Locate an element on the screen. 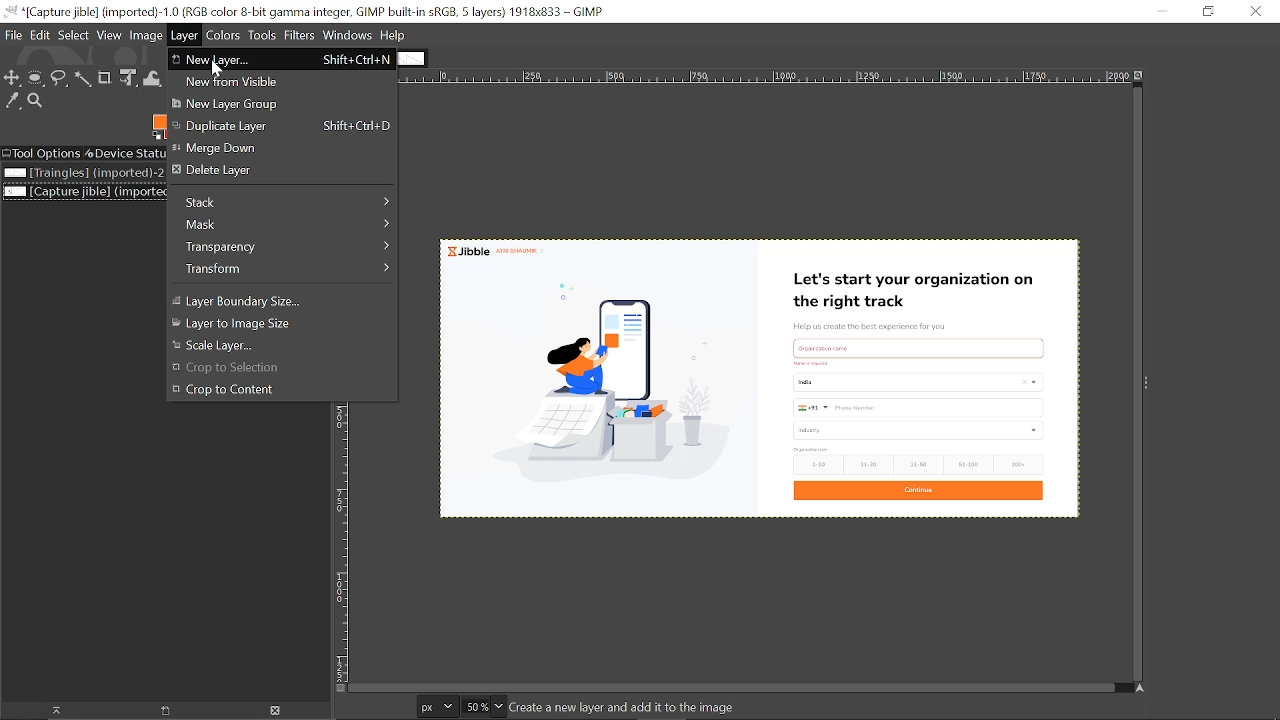  Zoom options is located at coordinates (498, 707).